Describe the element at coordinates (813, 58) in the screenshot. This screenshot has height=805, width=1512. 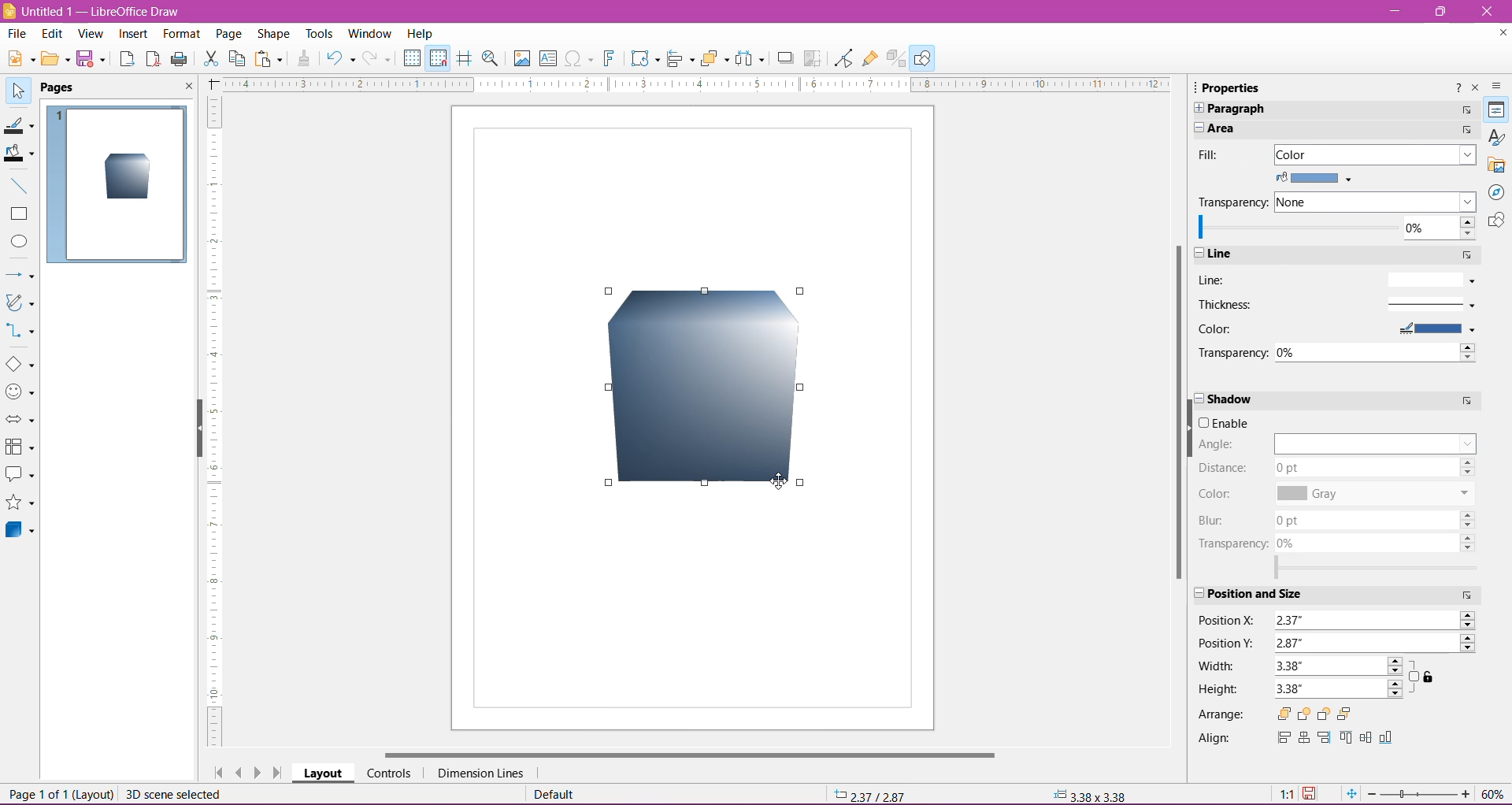
I see `Crop Image` at that location.